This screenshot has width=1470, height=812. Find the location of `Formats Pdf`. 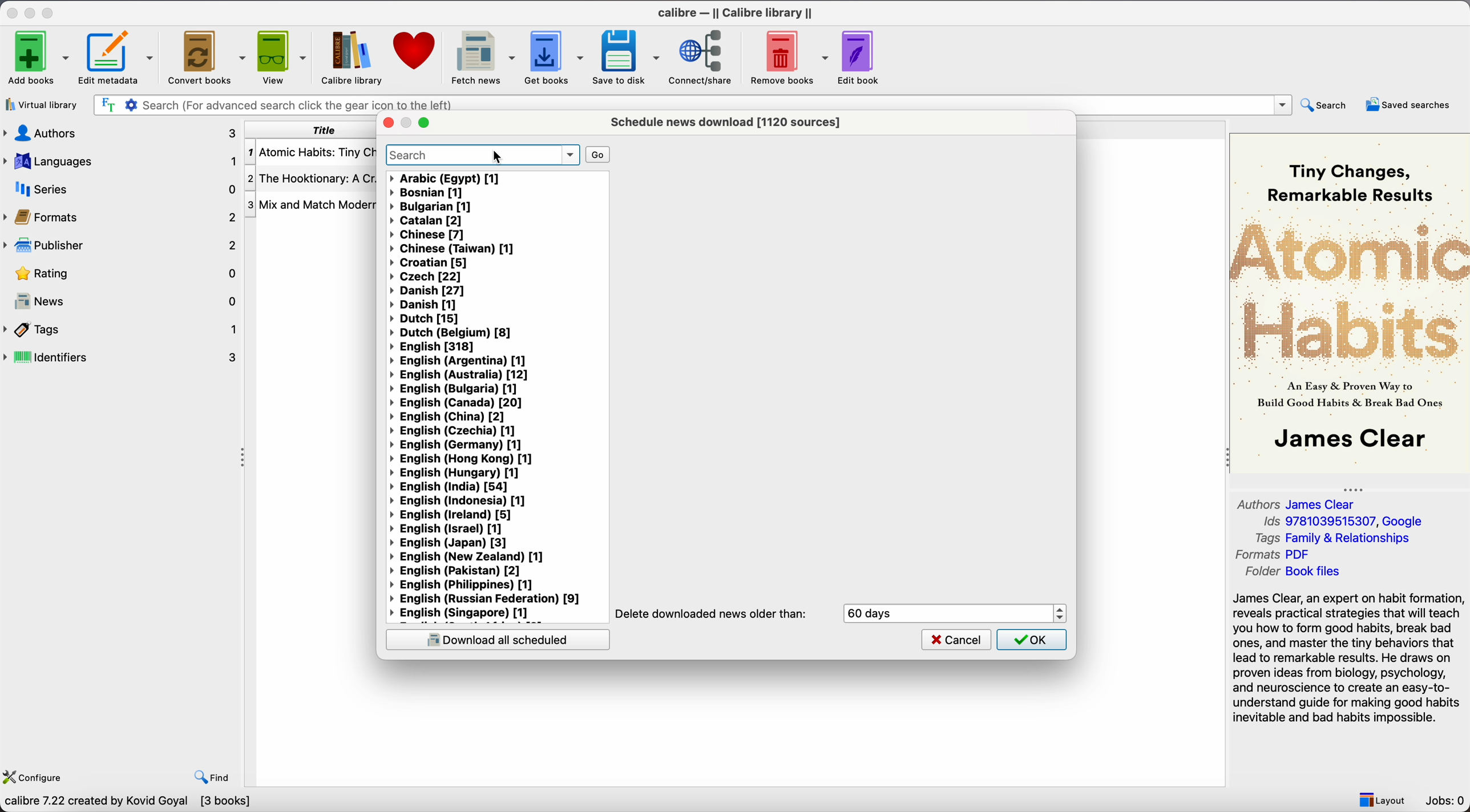

Formats Pdf is located at coordinates (1275, 555).